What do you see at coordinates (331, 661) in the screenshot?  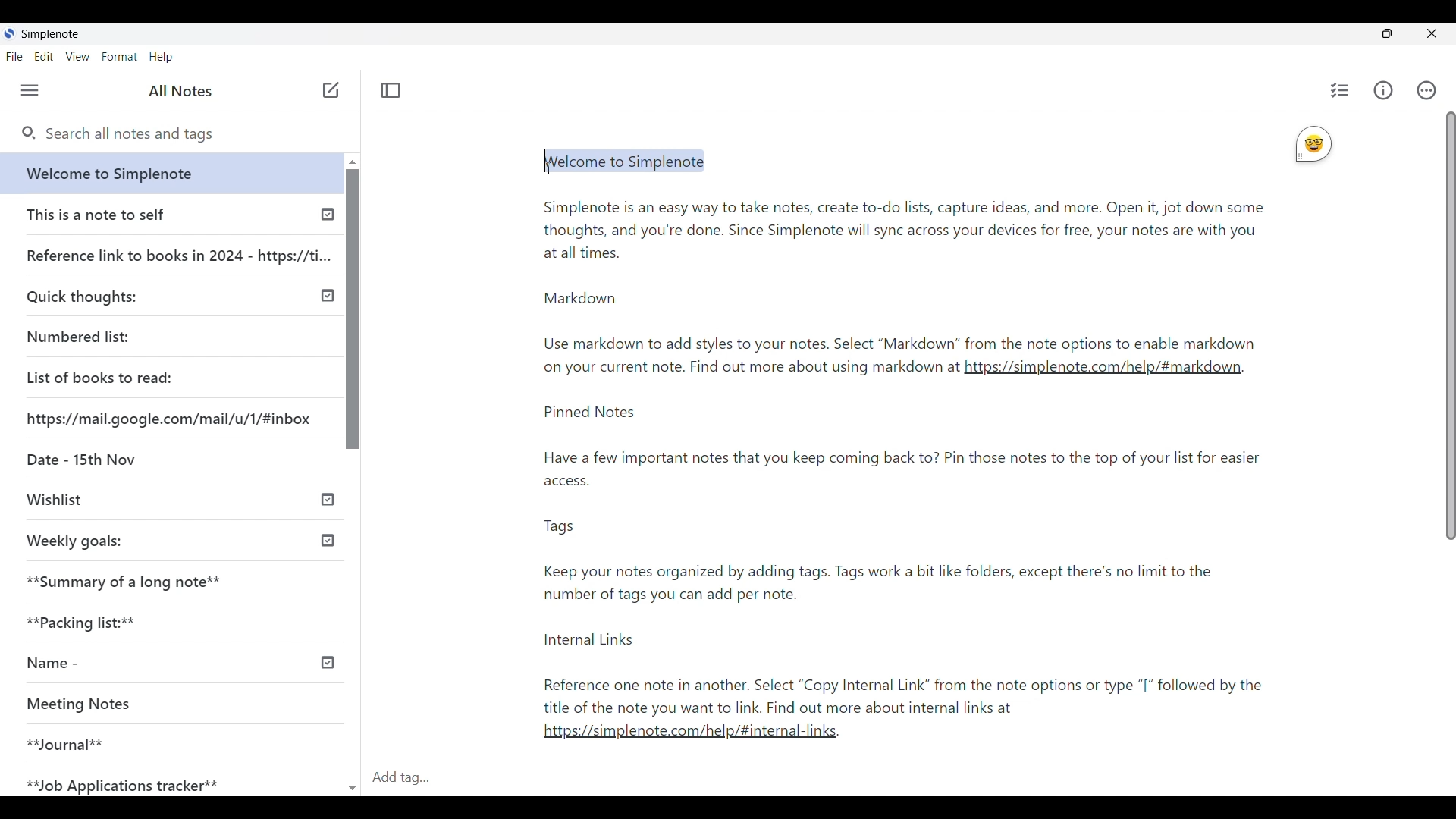 I see `Check icon indicates published notes` at bounding box center [331, 661].